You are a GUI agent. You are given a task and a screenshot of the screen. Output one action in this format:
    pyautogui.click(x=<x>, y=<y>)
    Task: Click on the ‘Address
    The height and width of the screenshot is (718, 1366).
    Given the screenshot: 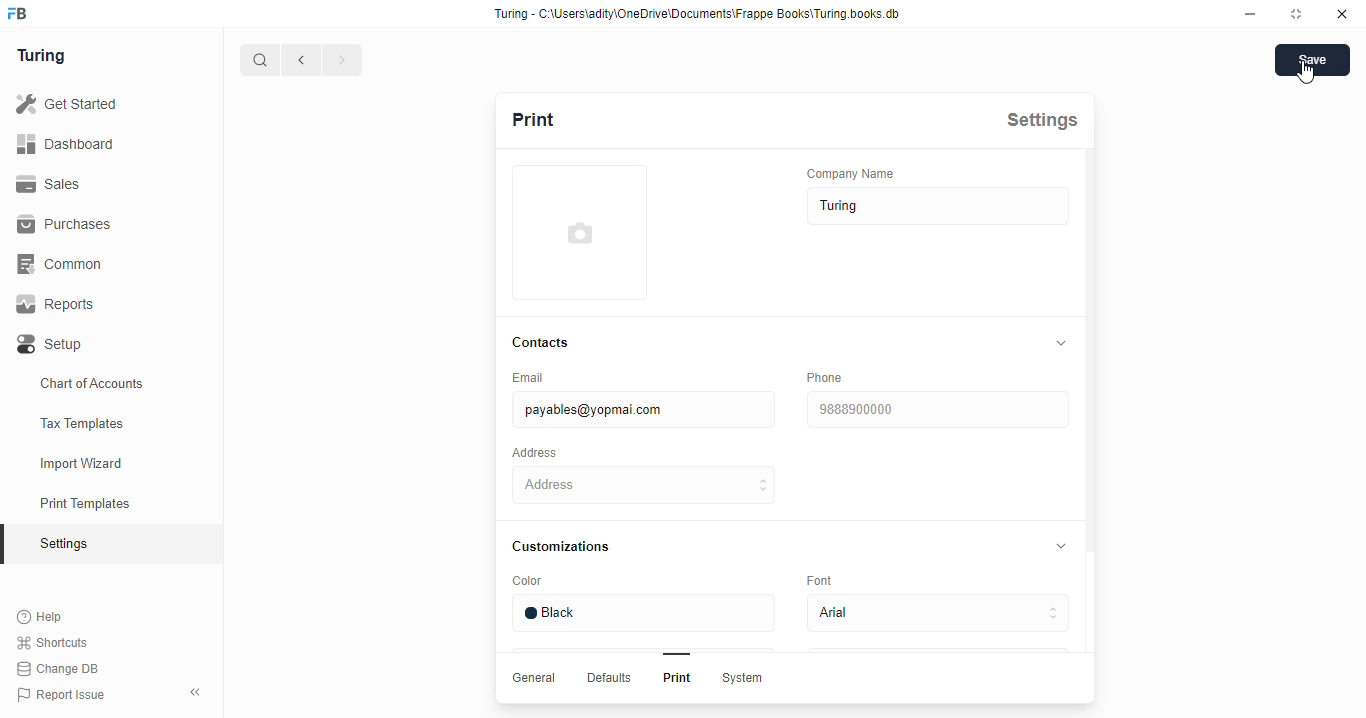 What is the action you would take?
    pyautogui.click(x=548, y=453)
    